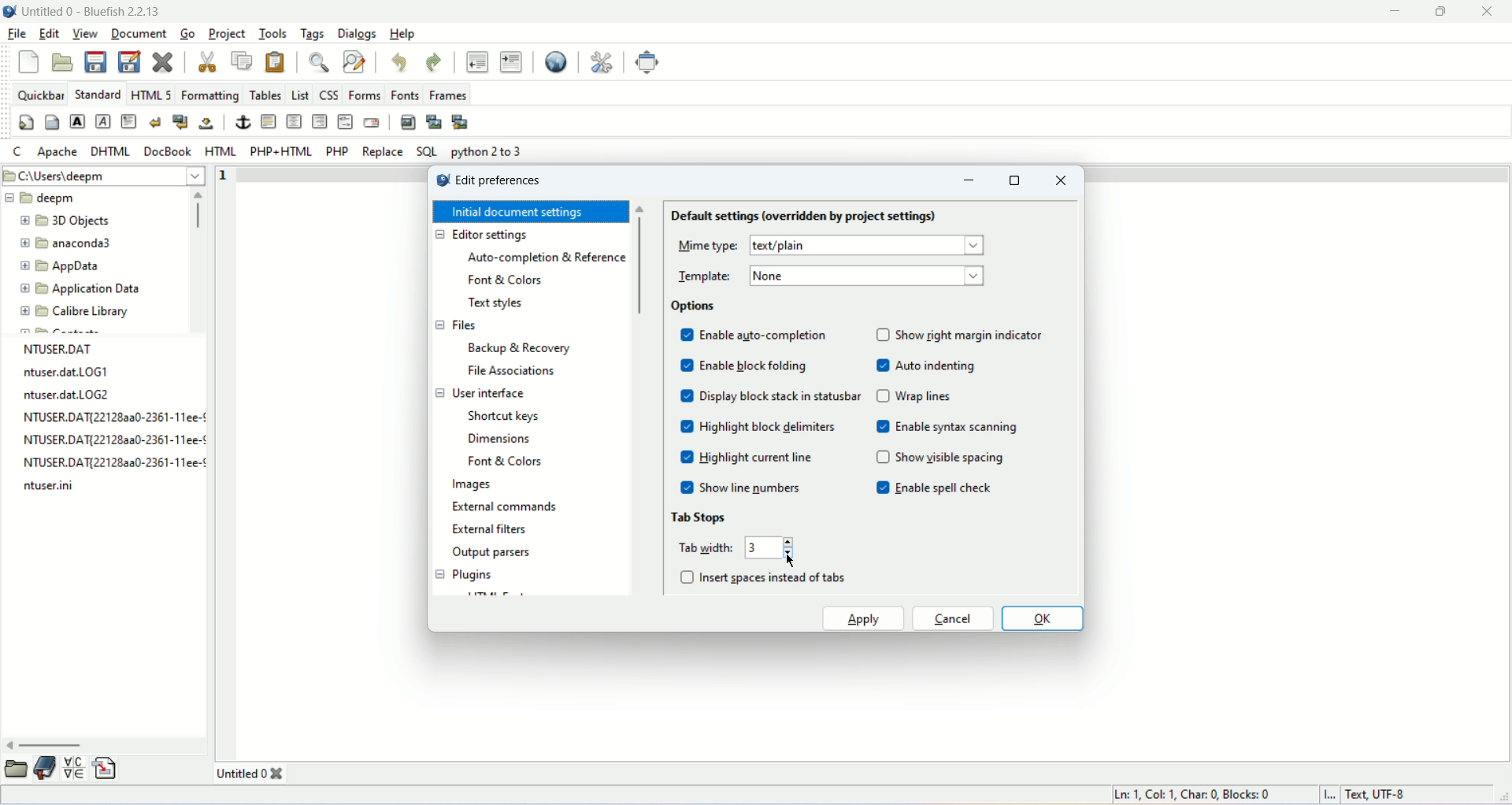  Describe the element at coordinates (109, 440) in the screenshot. I see `NTUSER.DAT{22128aa0-2361-11ee-¢` at that location.